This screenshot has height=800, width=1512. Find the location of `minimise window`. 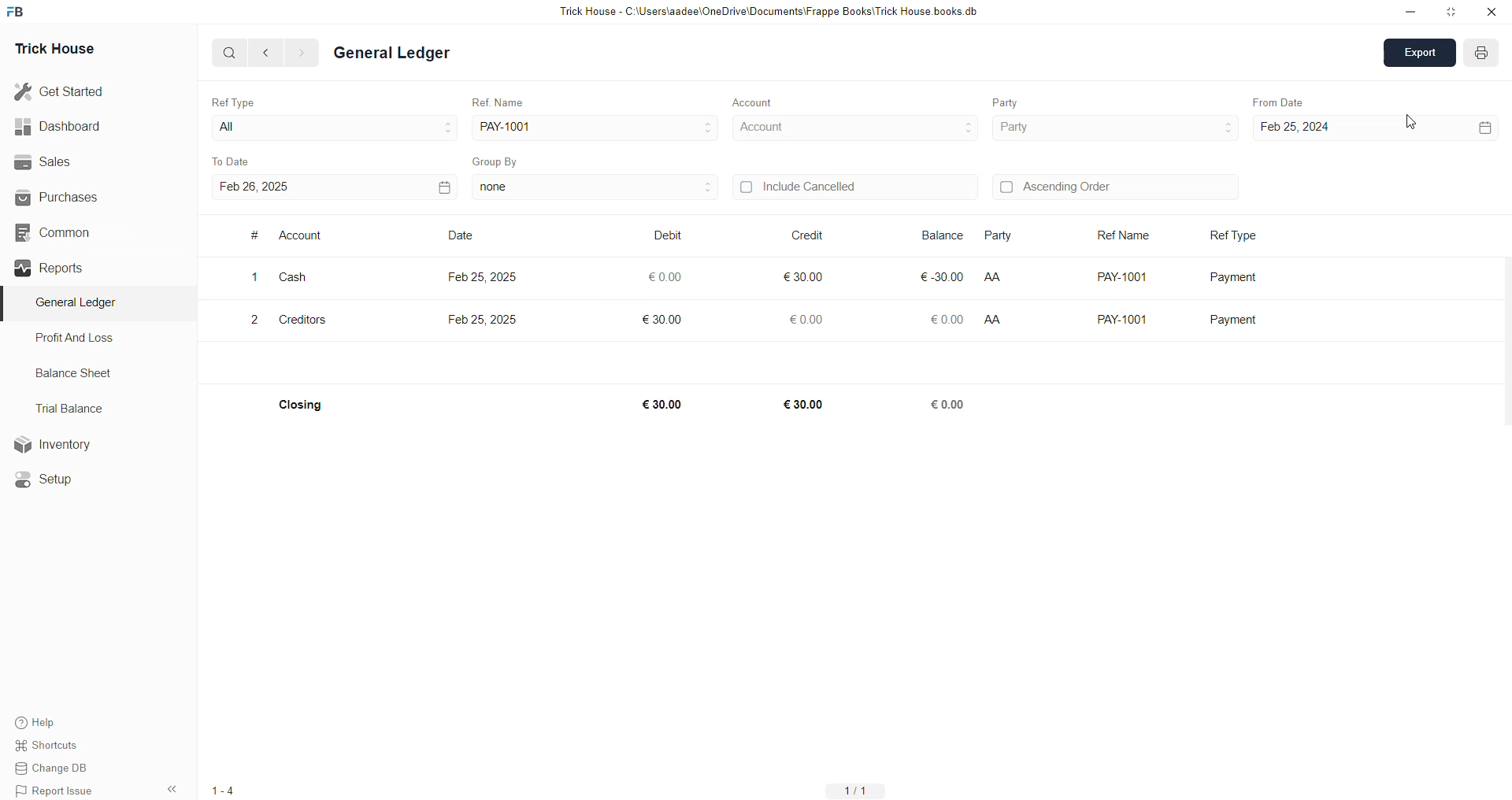

minimise window is located at coordinates (1450, 13).